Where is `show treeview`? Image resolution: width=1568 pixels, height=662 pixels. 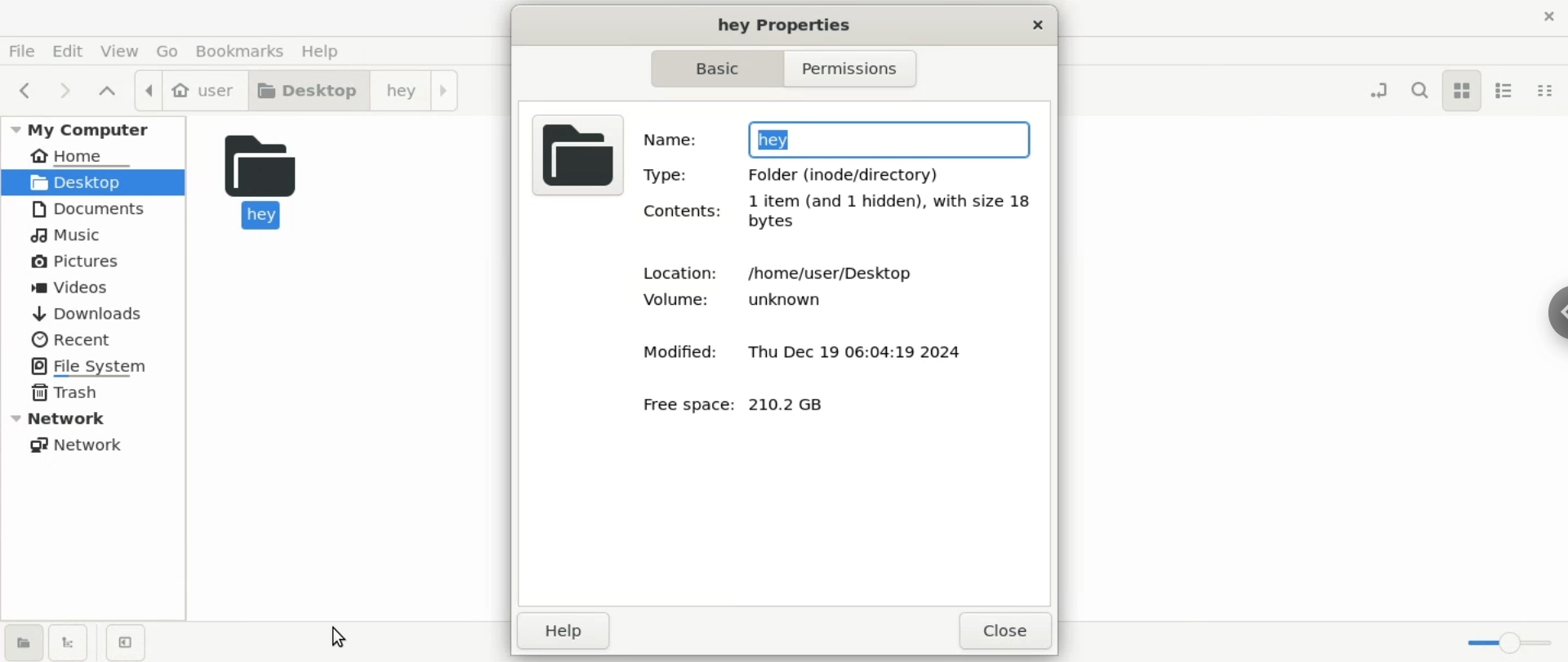
show treeview is located at coordinates (71, 643).